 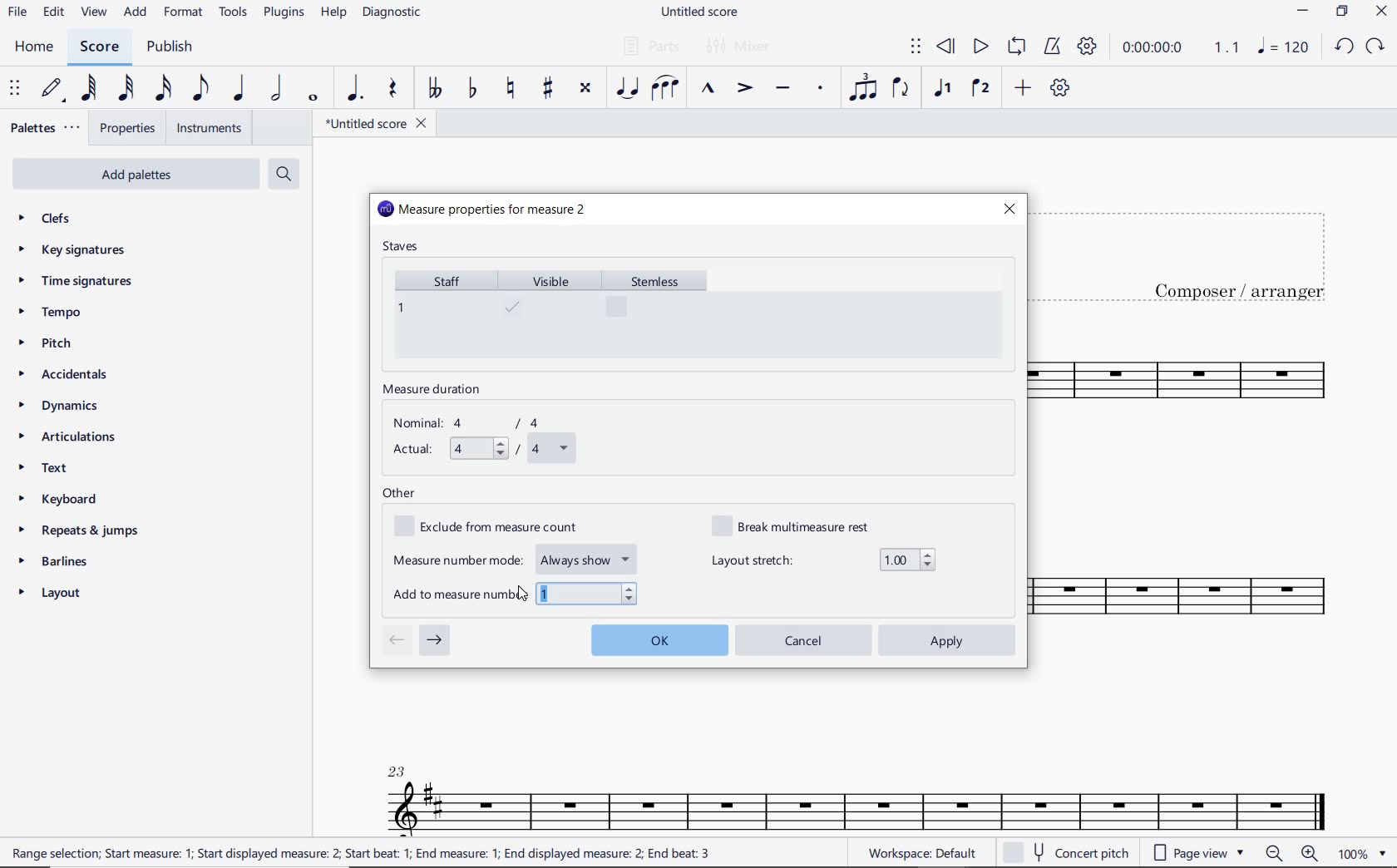 I want to click on INSTRUMENT: TENOR SAXOPHONE, so click(x=857, y=787).